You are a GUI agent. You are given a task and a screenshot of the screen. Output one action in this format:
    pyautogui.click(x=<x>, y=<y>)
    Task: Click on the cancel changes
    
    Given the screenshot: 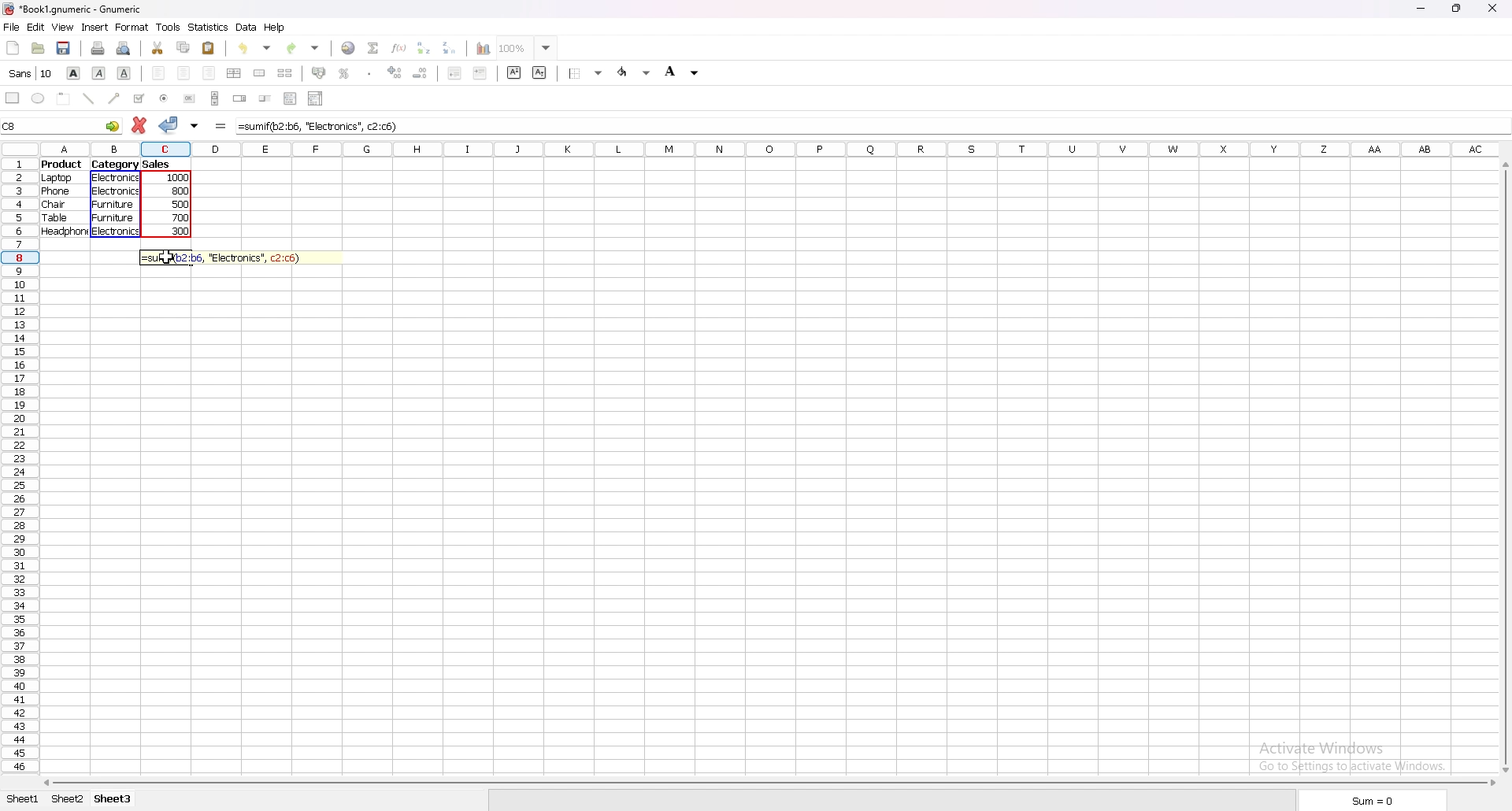 What is the action you would take?
    pyautogui.click(x=139, y=124)
    